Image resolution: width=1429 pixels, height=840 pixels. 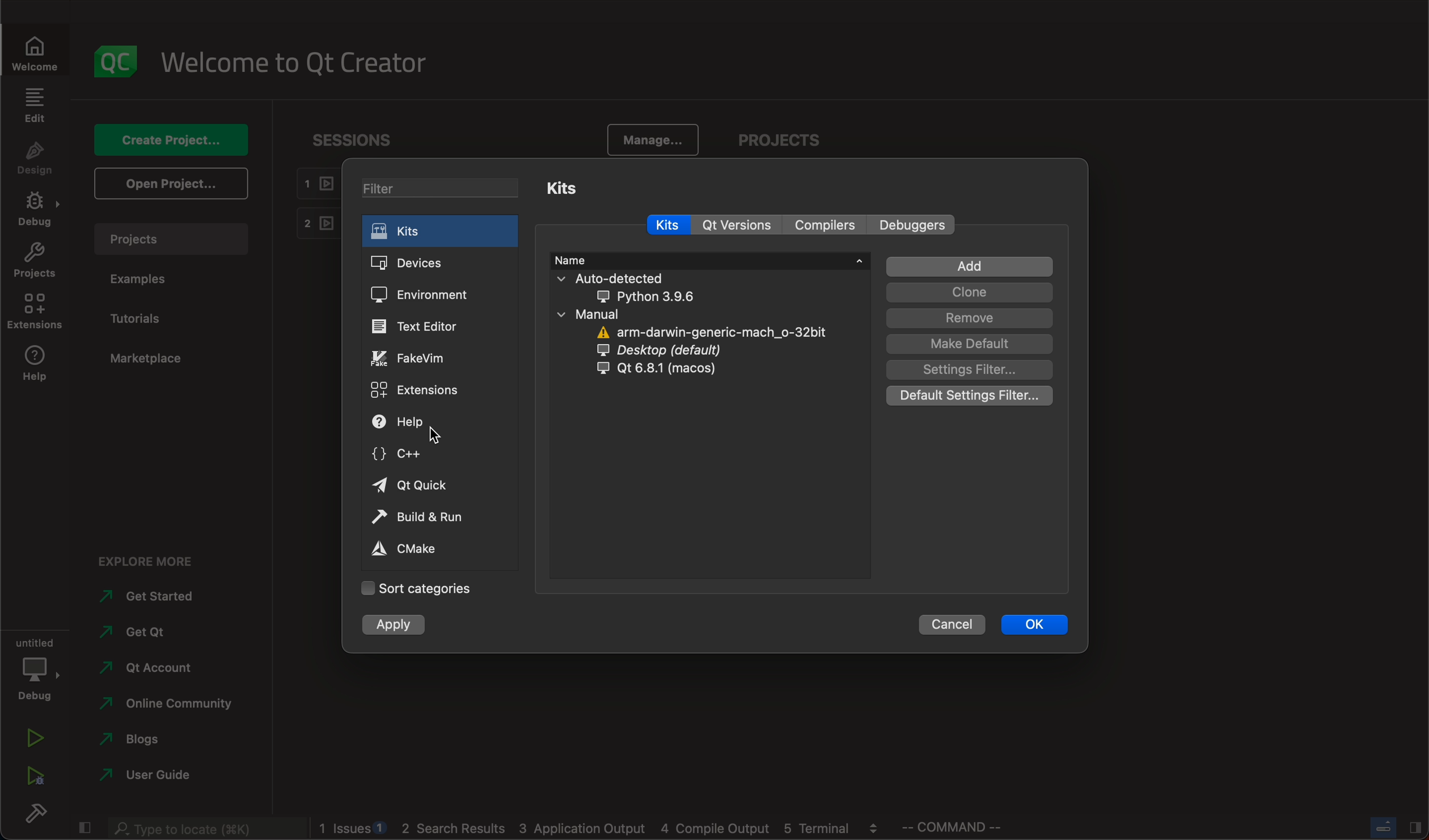 What do you see at coordinates (569, 189) in the screenshot?
I see `kits` at bounding box center [569, 189].